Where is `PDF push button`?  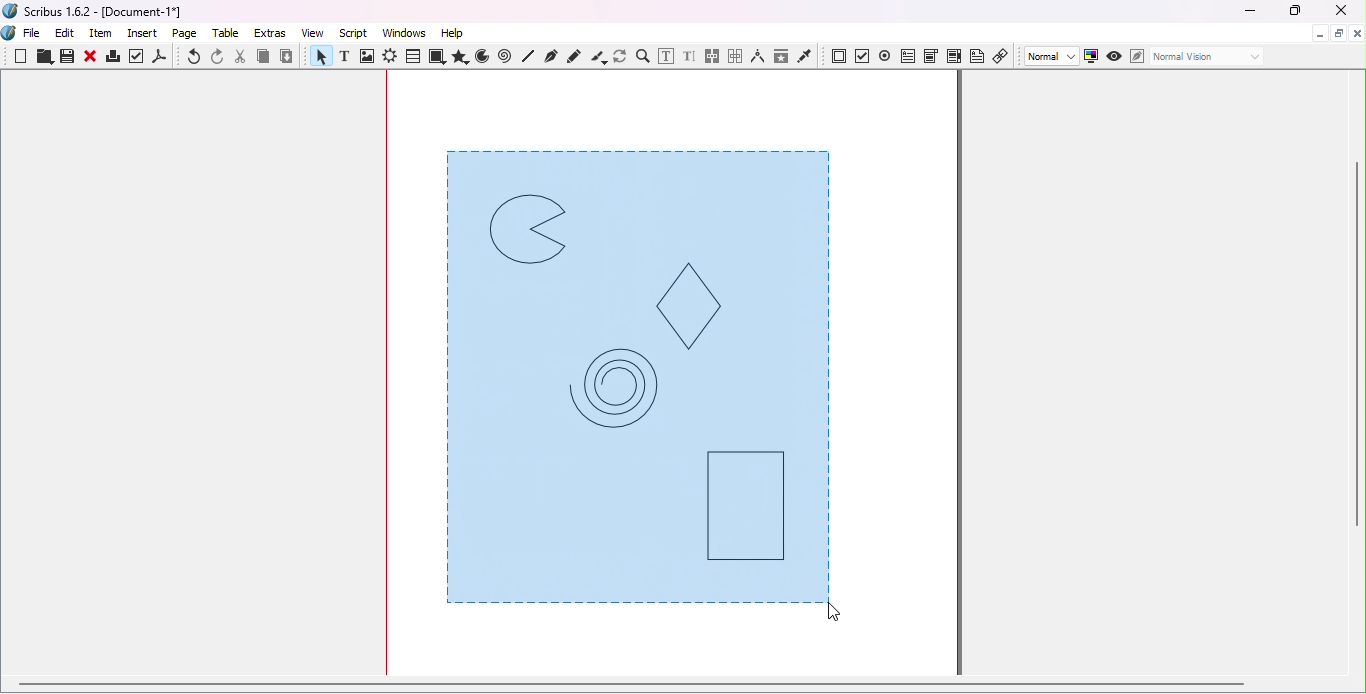
PDF push button is located at coordinates (839, 57).